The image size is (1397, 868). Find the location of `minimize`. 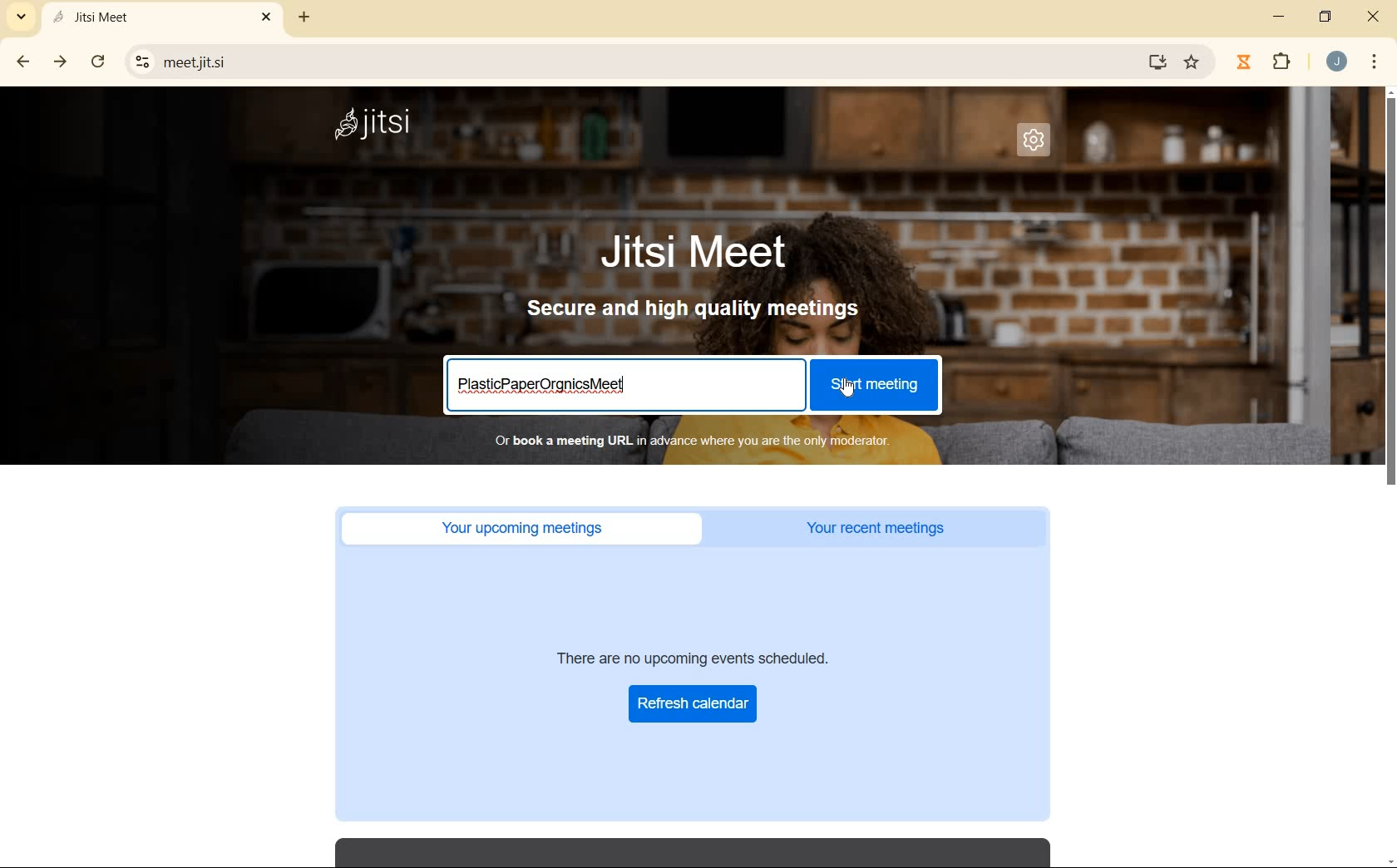

minimize is located at coordinates (1281, 17).